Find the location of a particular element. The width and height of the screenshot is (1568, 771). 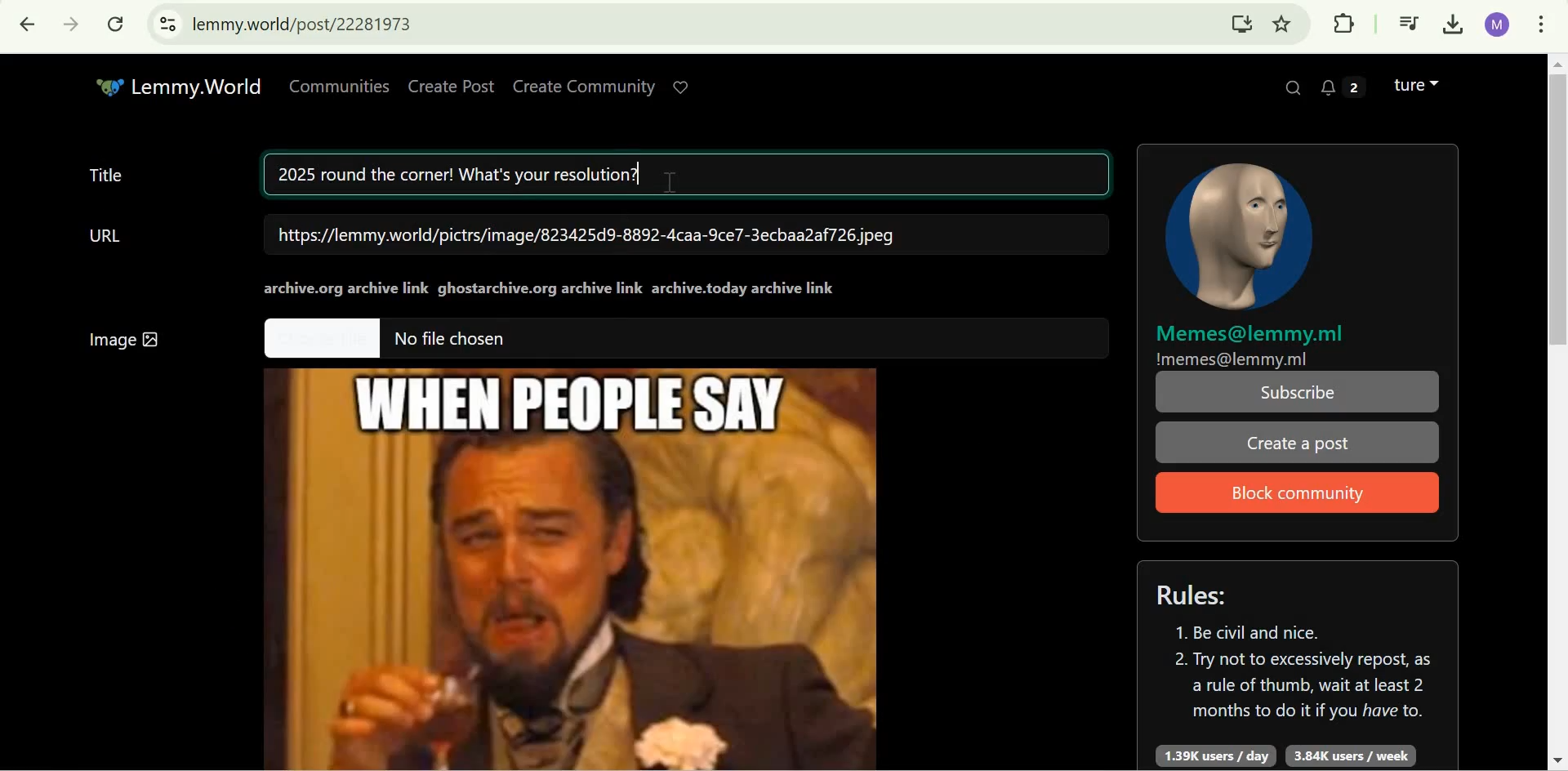

Image is located at coordinates (582, 562).